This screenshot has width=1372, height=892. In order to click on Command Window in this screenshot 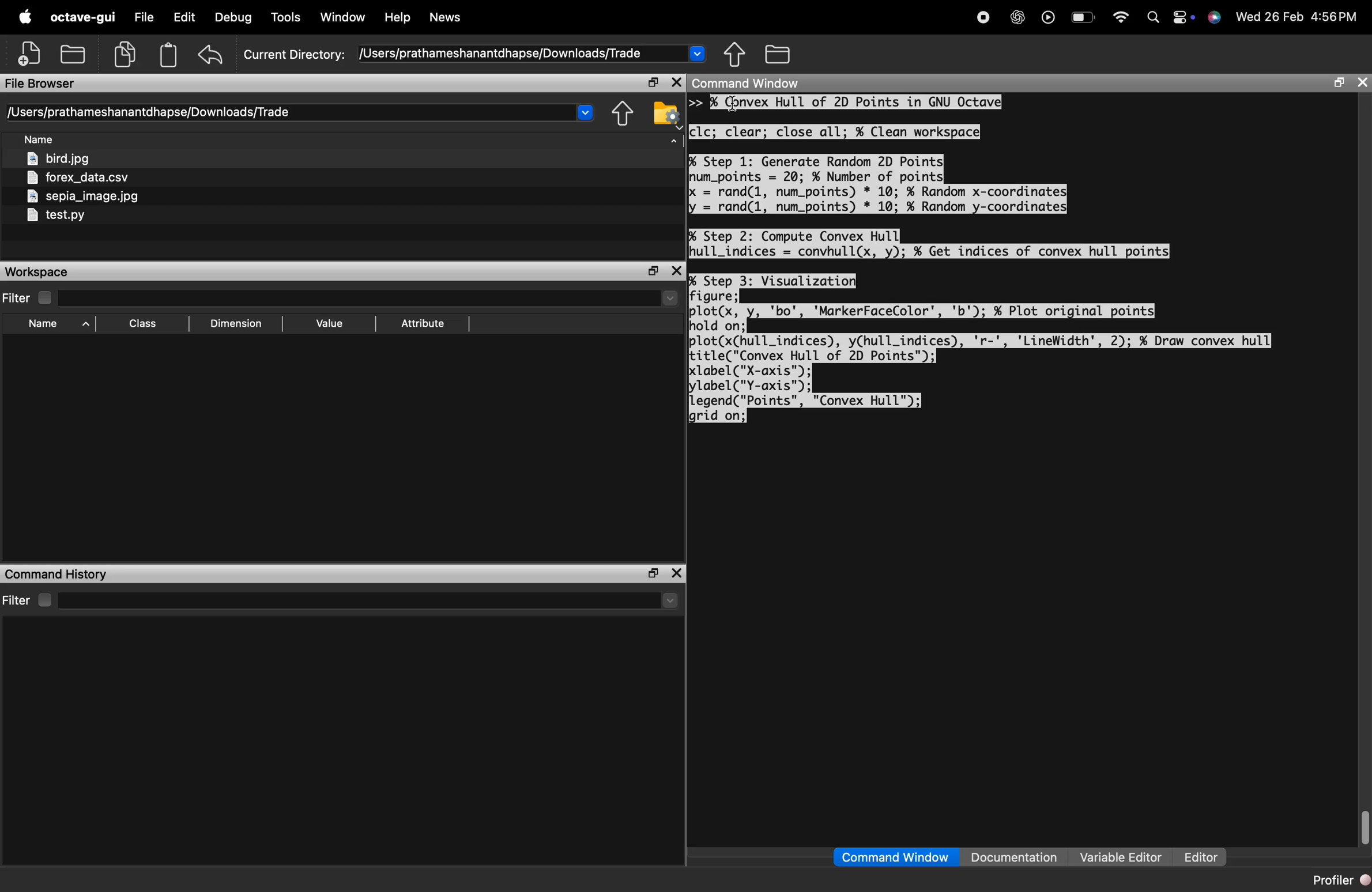, I will do `click(896, 856)`.